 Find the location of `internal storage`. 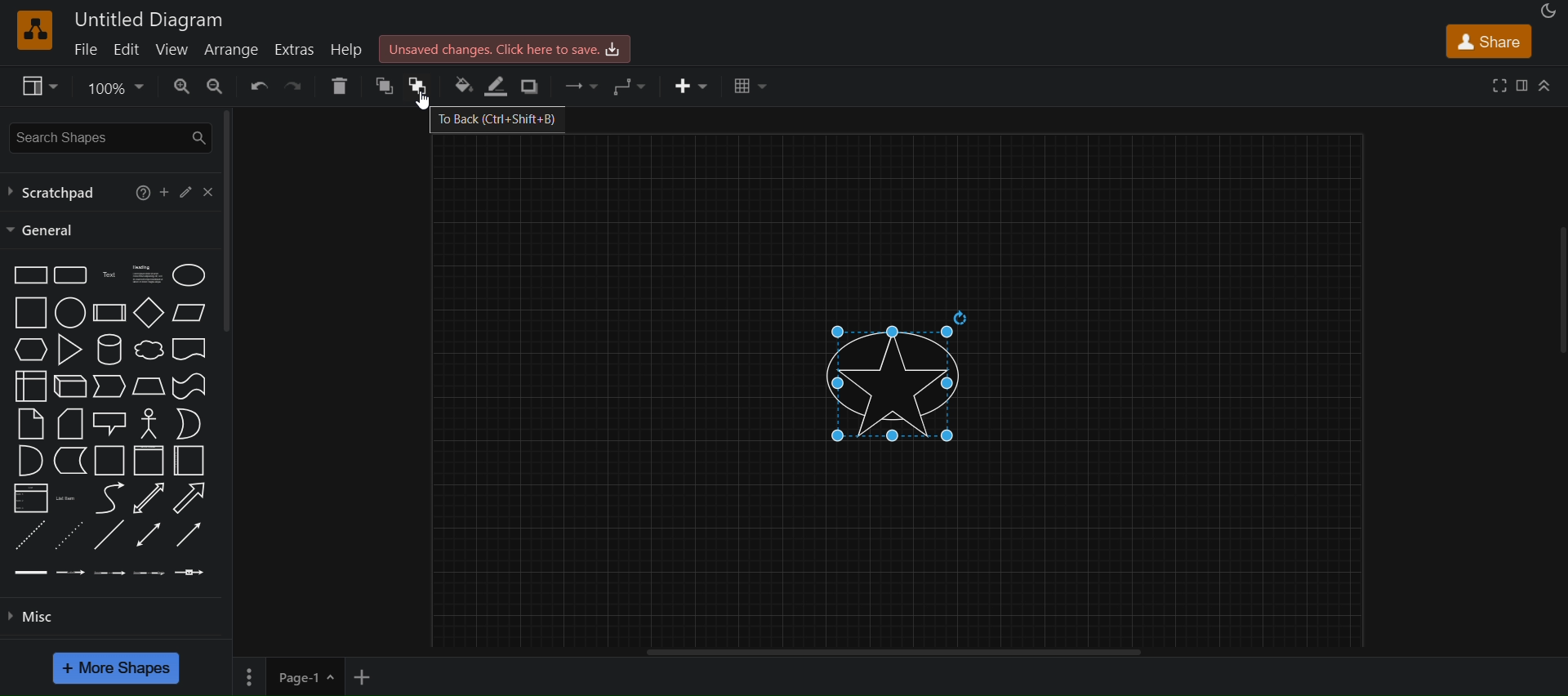

internal storage is located at coordinates (31, 385).